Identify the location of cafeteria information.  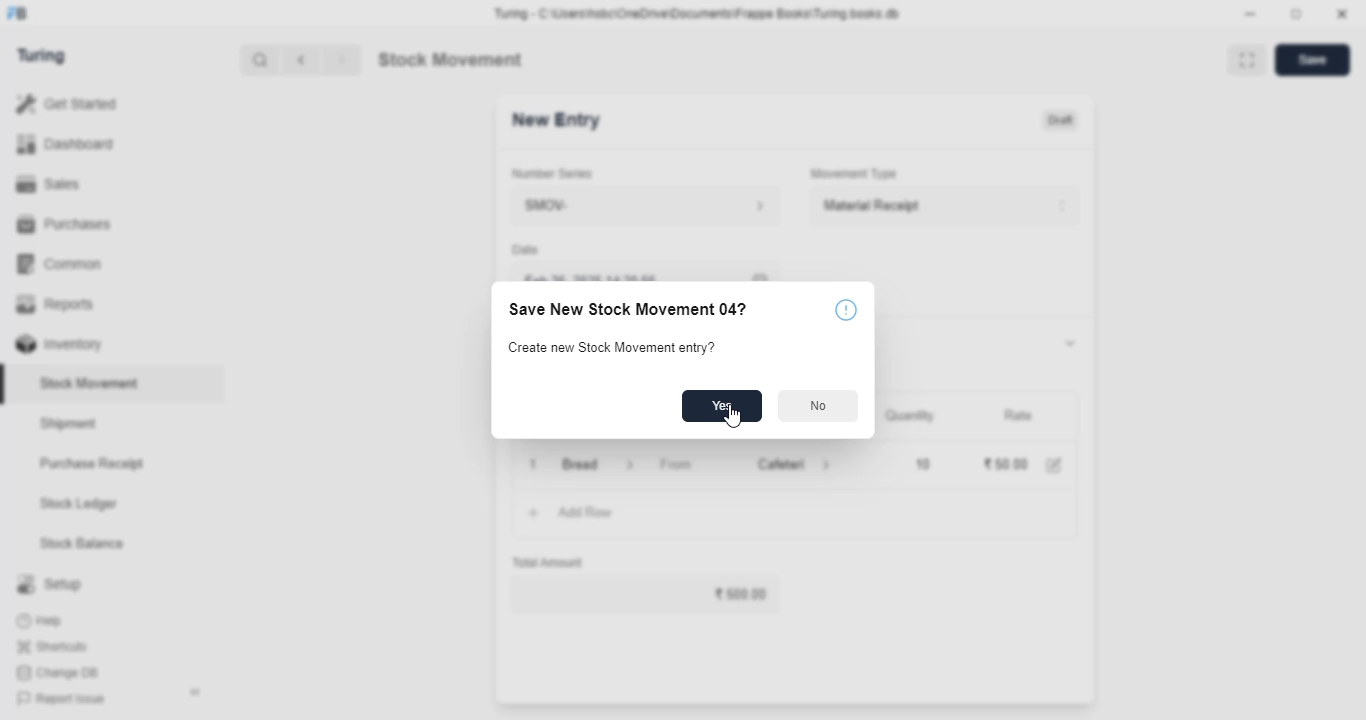
(828, 464).